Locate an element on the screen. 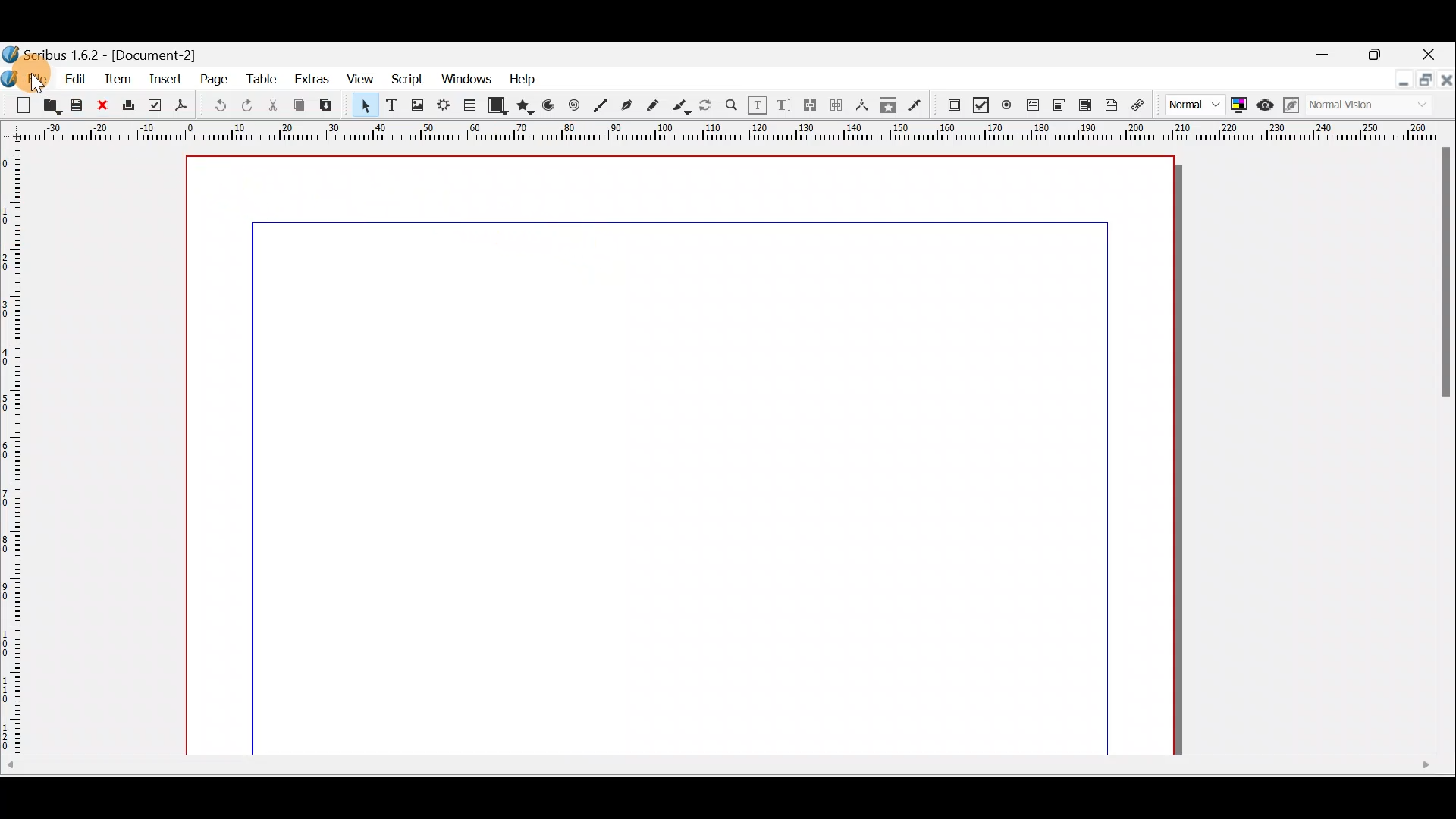 The width and height of the screenshot is (1456, 819). Edit in preview mode is located at coordinates (1289, 107).